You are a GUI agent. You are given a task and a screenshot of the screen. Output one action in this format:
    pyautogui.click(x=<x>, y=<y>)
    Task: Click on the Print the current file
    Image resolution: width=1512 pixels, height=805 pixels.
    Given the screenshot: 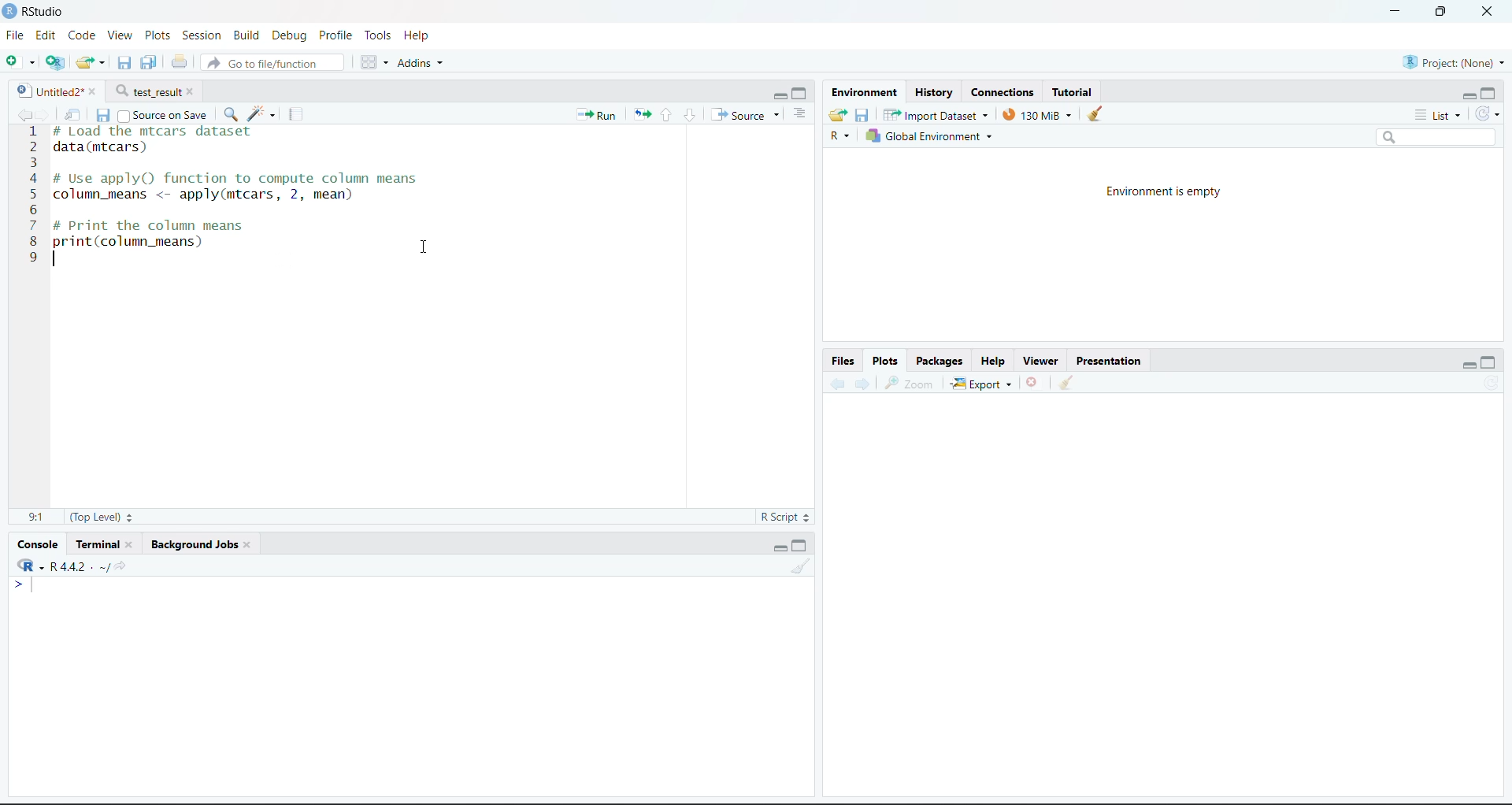 What is the action you would take?
    pyautogui.click(x=180, y=59)
    